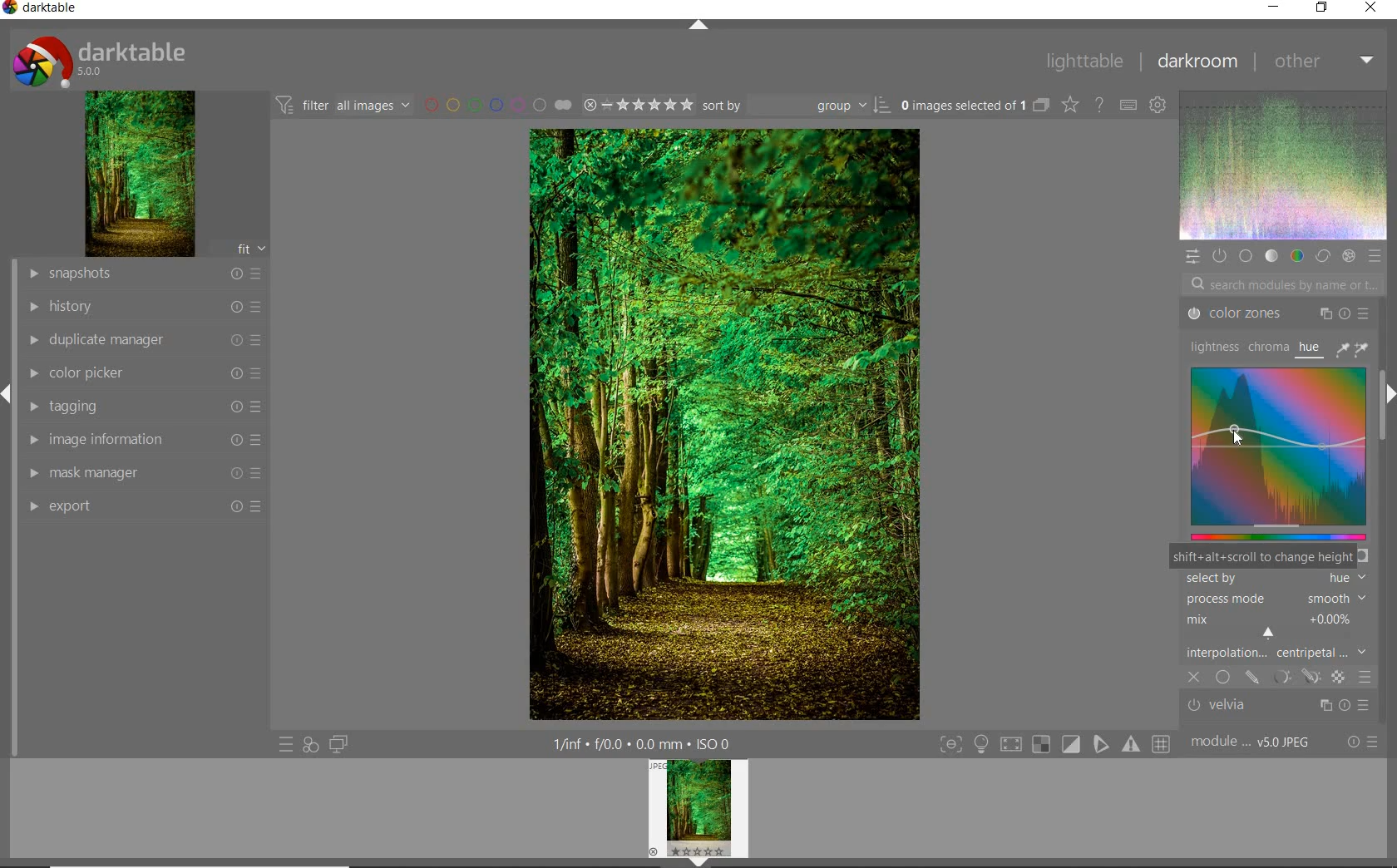  I want to click on SELECTED IMAGE RANGE RATING, so click(636, 103).